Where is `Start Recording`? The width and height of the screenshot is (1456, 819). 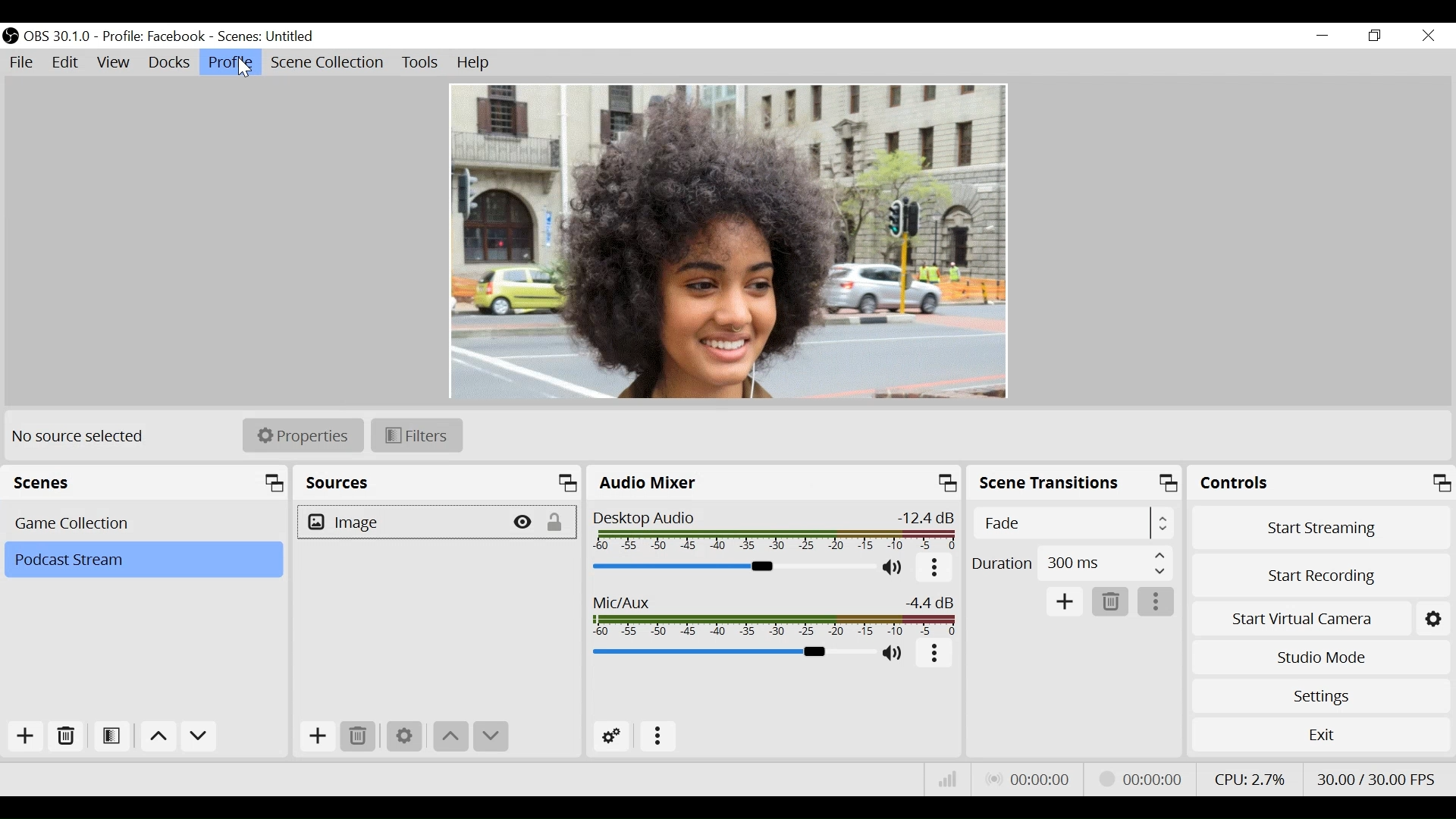 Start Recording is located at coordinates (1322, 574).